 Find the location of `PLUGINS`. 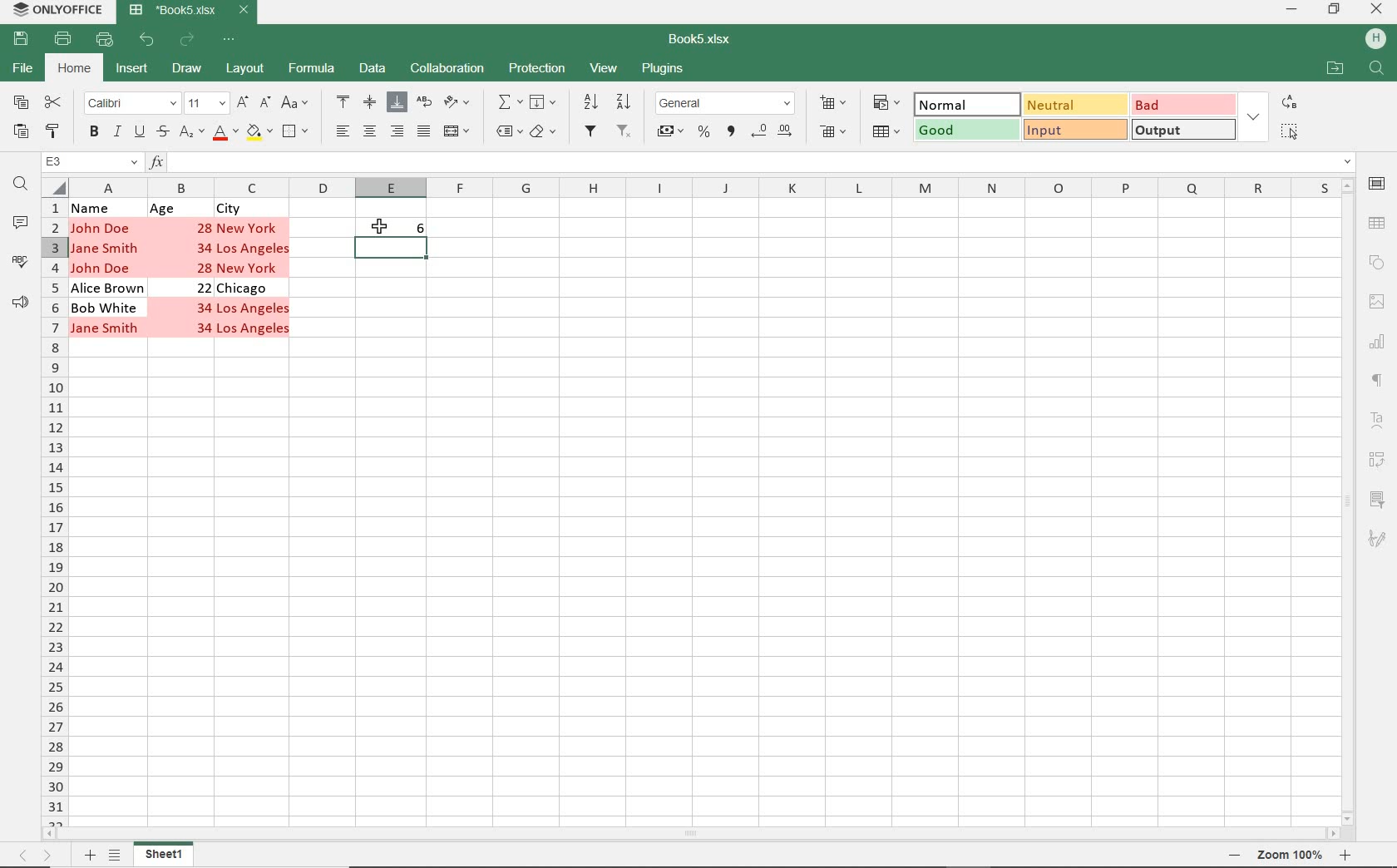

PLUGINS is located at coordinates (664, 70).